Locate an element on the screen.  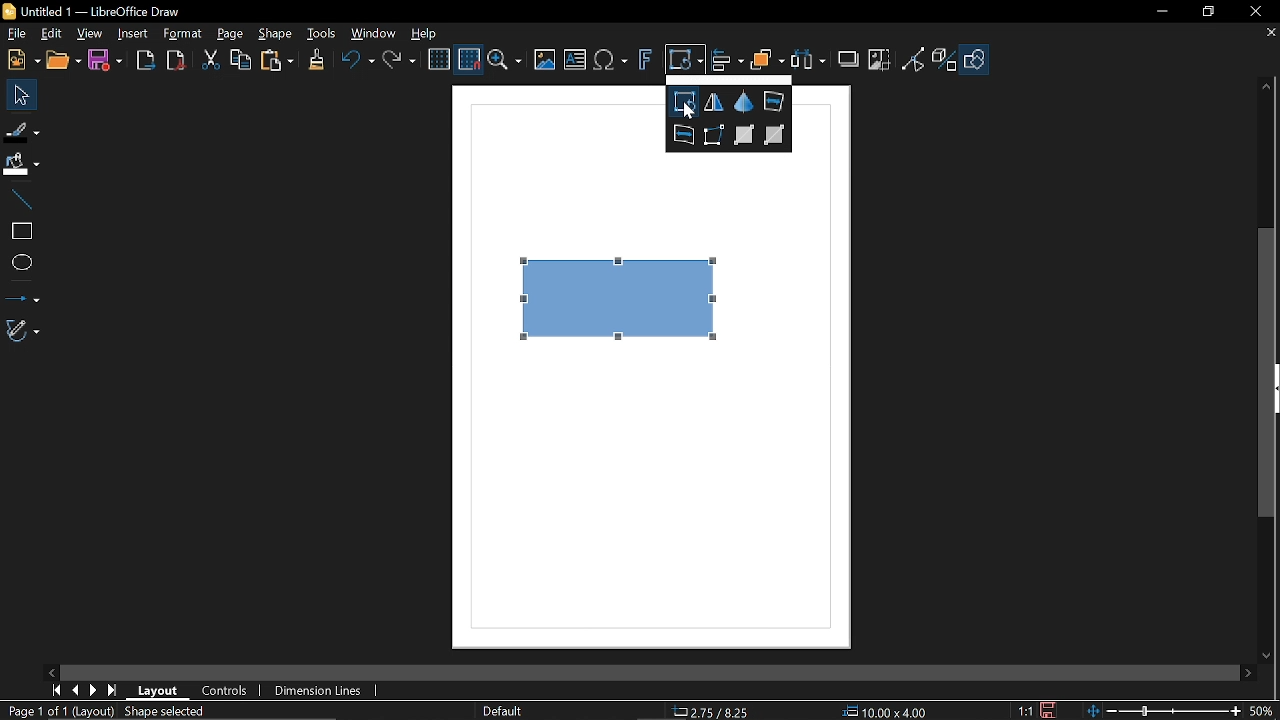
Insert  is located at coordinates (132, 35).